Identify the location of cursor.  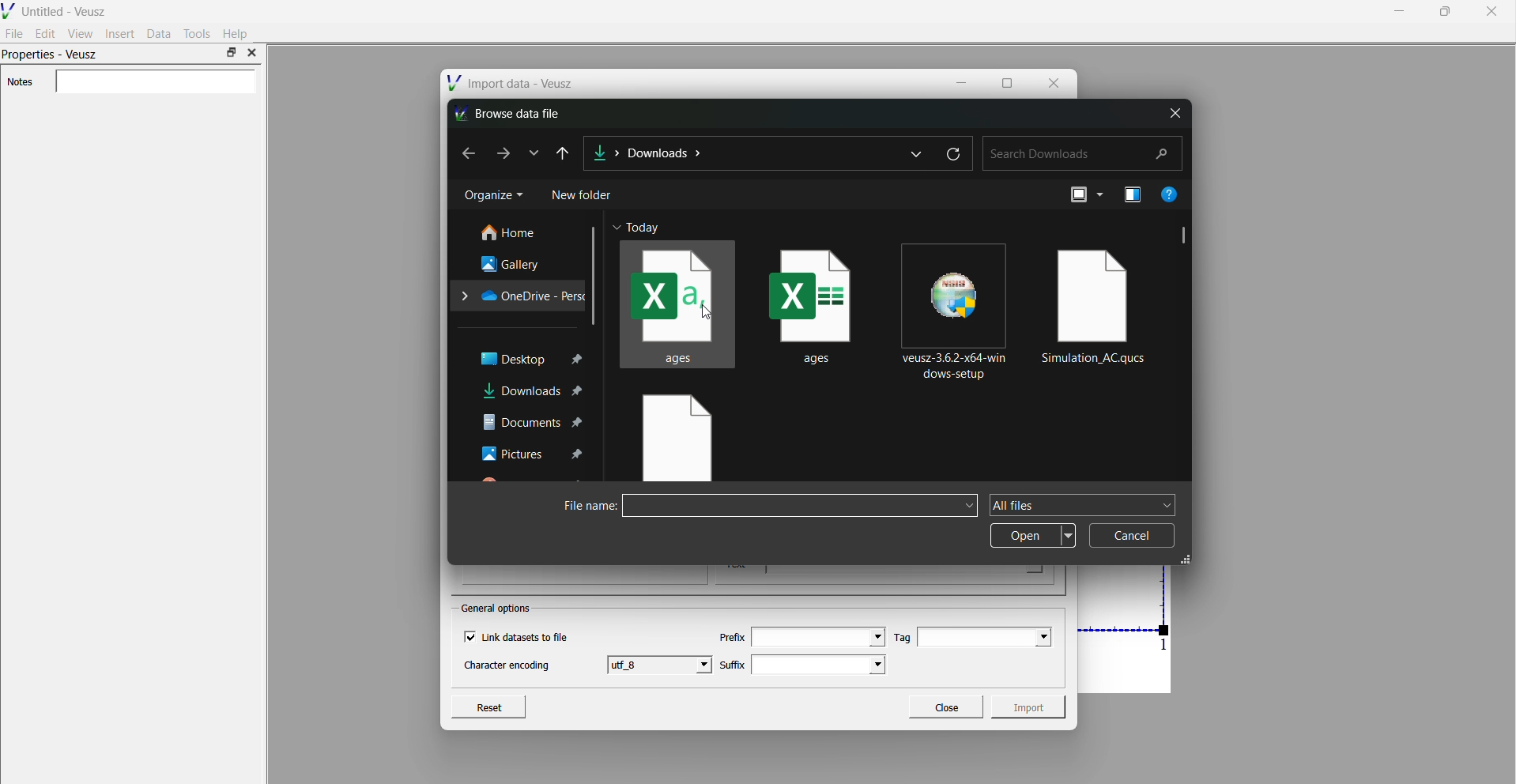
(710, 314).